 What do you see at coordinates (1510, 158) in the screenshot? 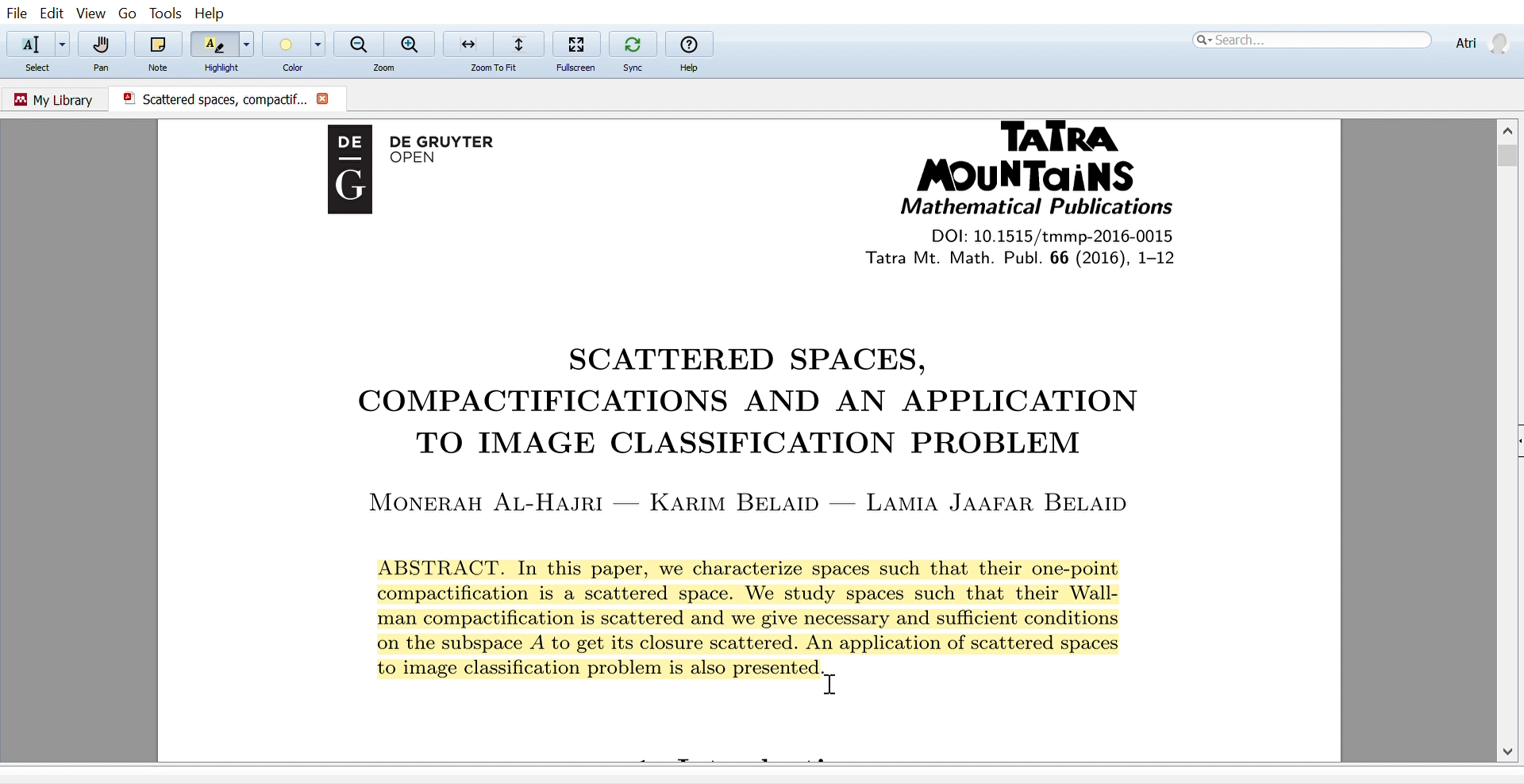
I see `Vertical scrollbar` at bounding box center [1510, 158].